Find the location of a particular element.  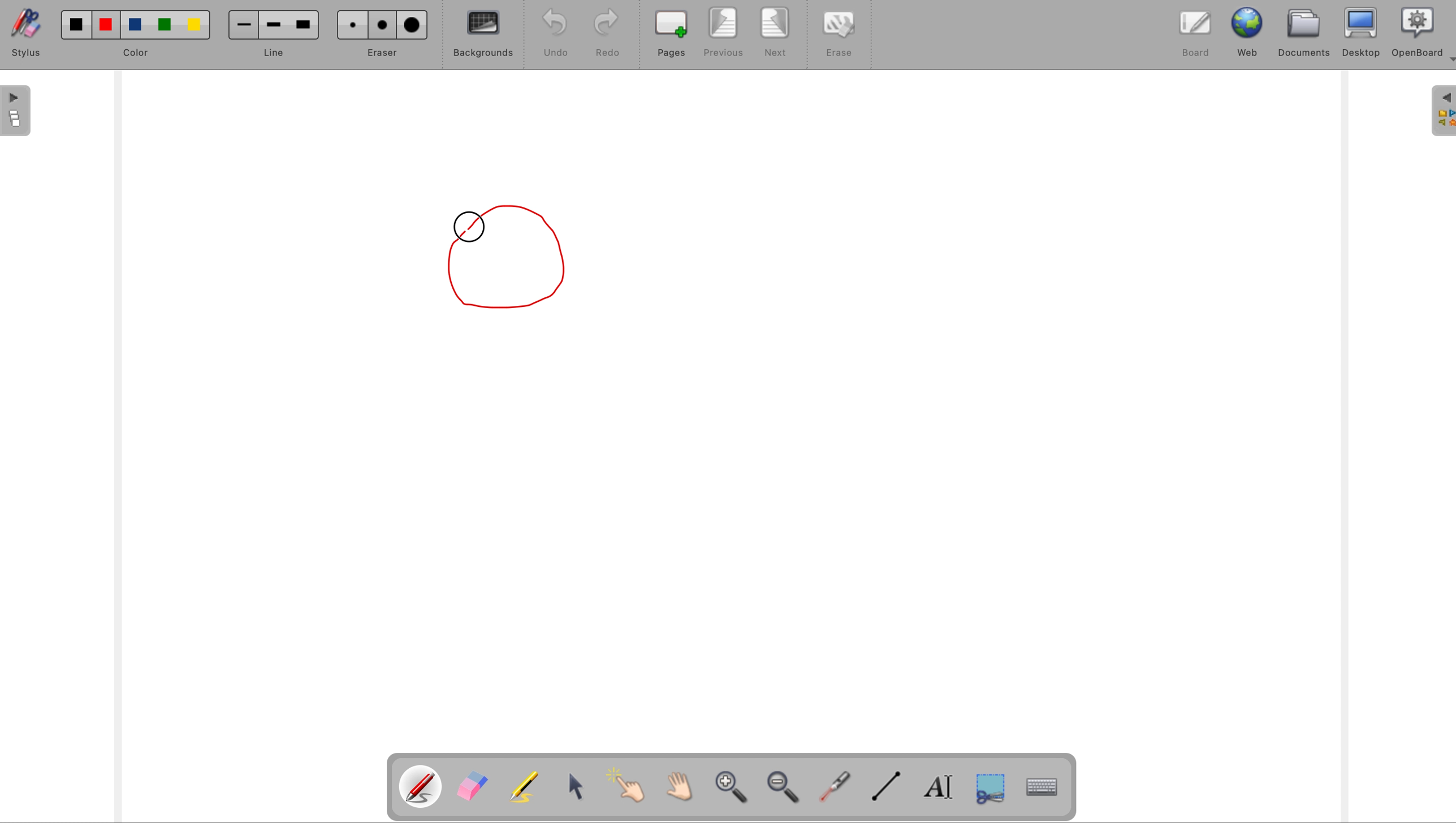

visual laser pointer is located at coordinates (836, 789).